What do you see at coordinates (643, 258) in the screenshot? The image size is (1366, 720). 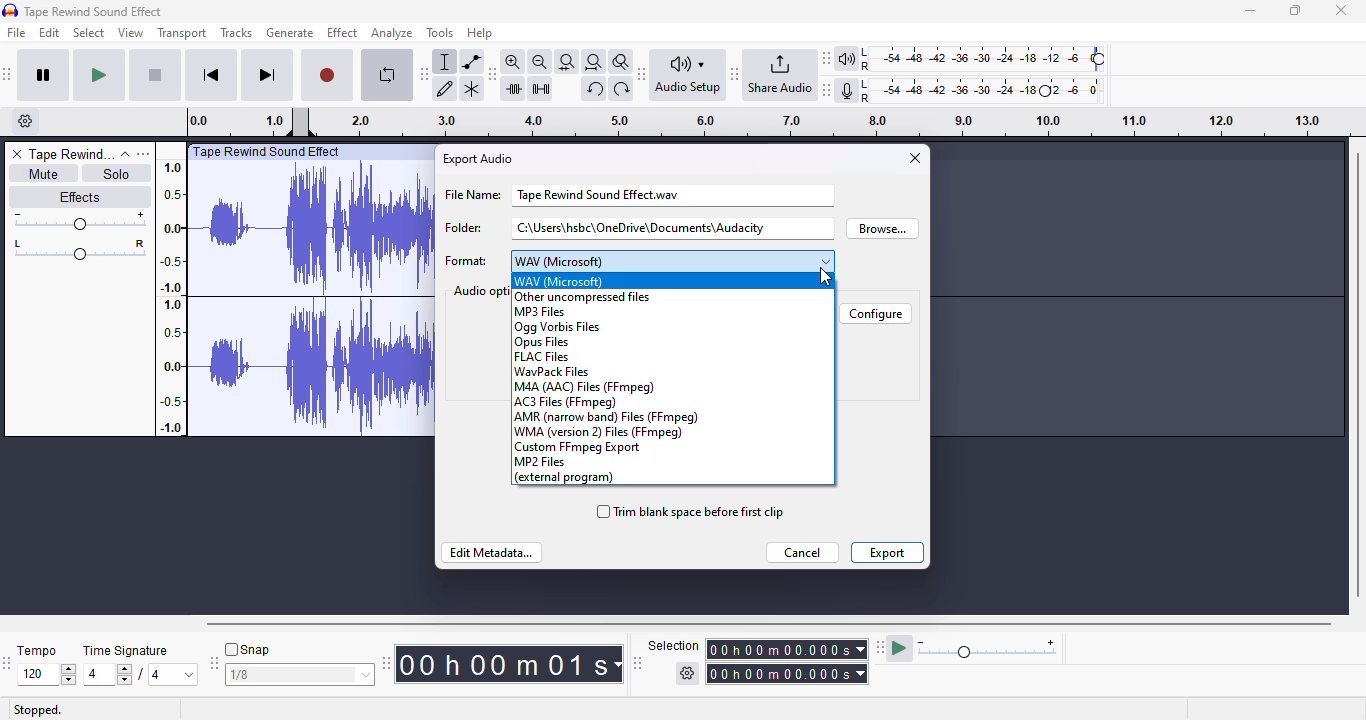 I see `format` at bounding box center [643, 258].